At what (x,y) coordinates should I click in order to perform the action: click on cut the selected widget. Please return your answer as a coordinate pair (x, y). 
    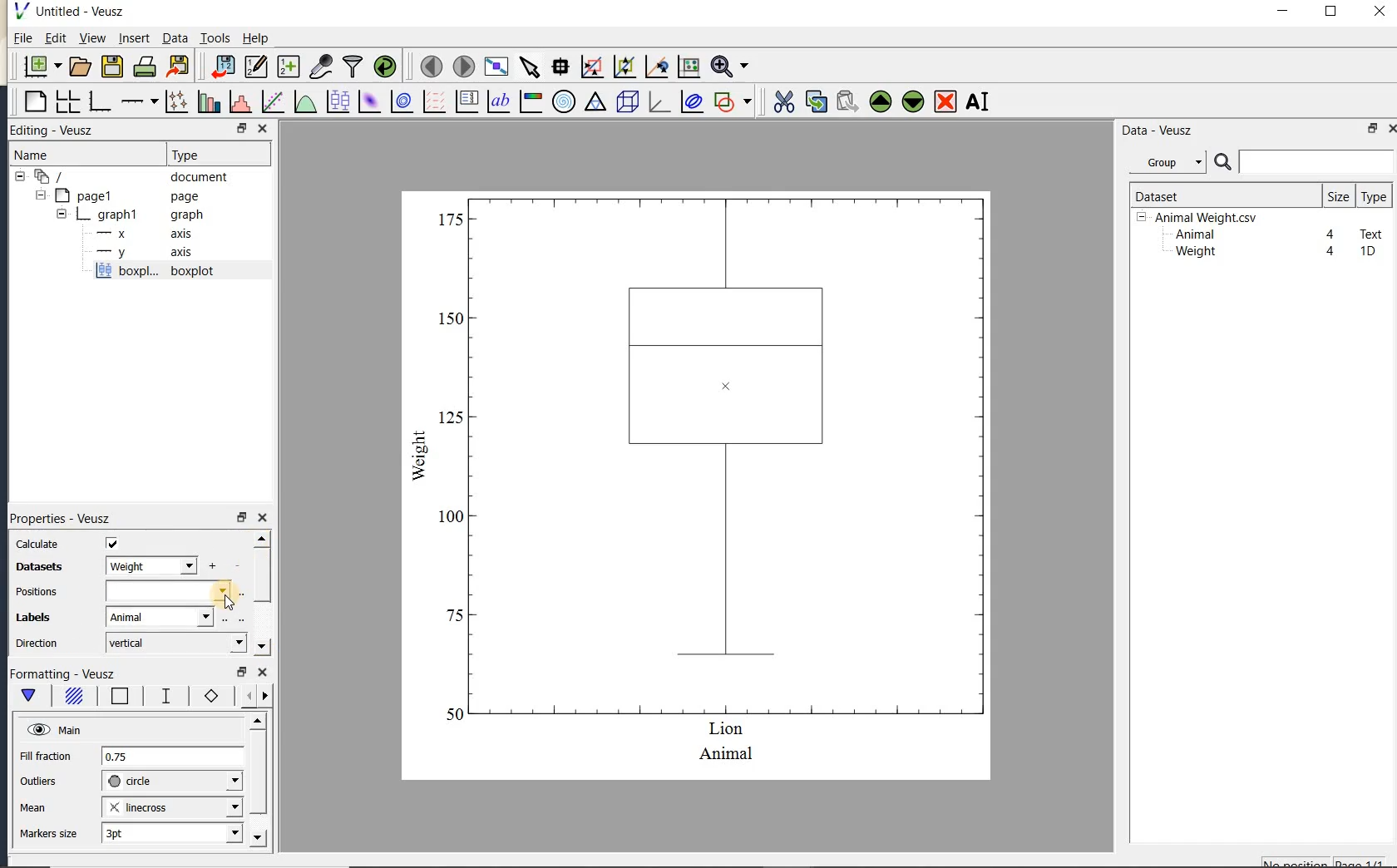
    Looking at the image, I should click on (782, 102).